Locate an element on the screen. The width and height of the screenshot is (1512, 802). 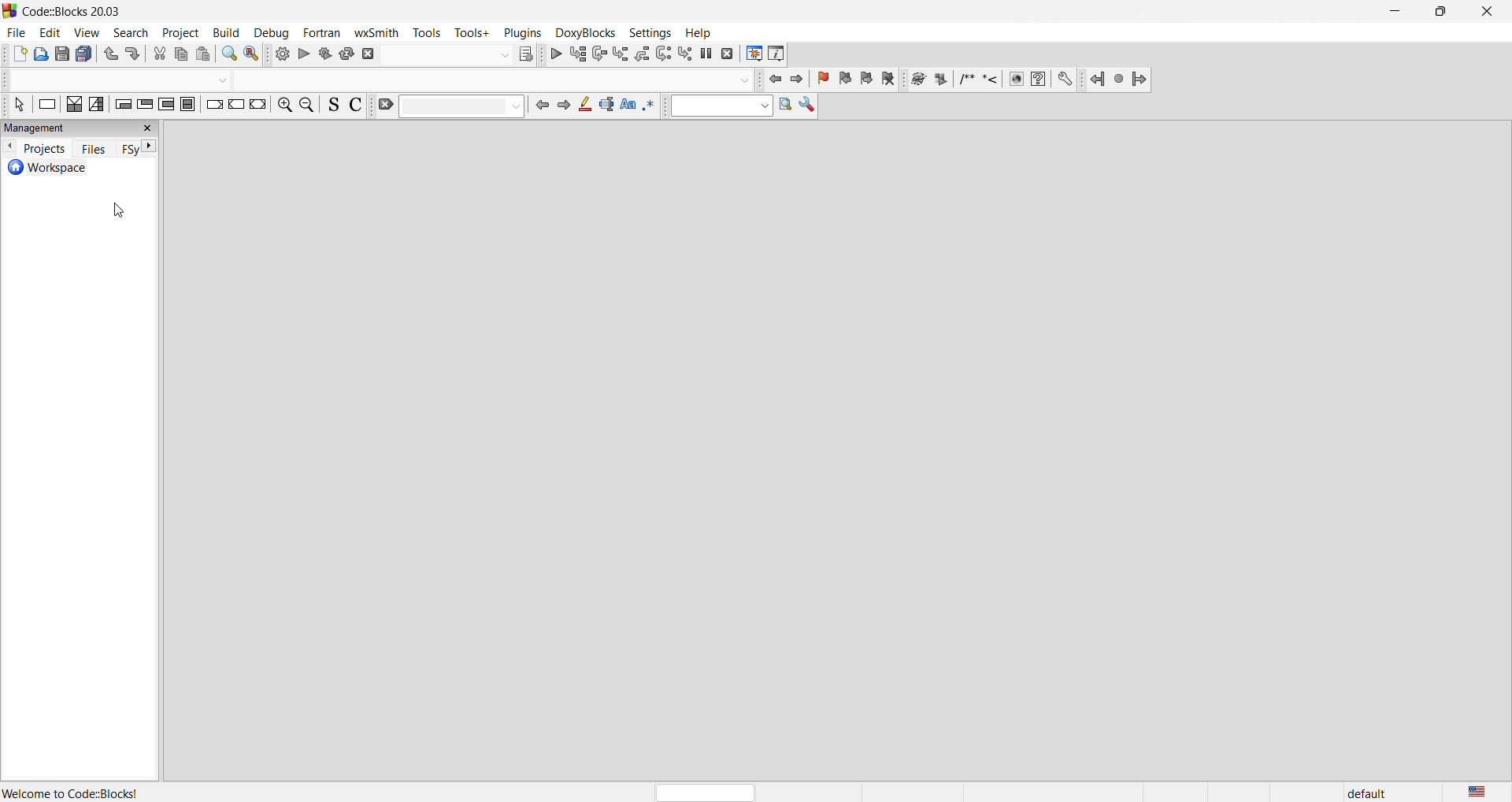
clear is located at coordinates (450, 106).